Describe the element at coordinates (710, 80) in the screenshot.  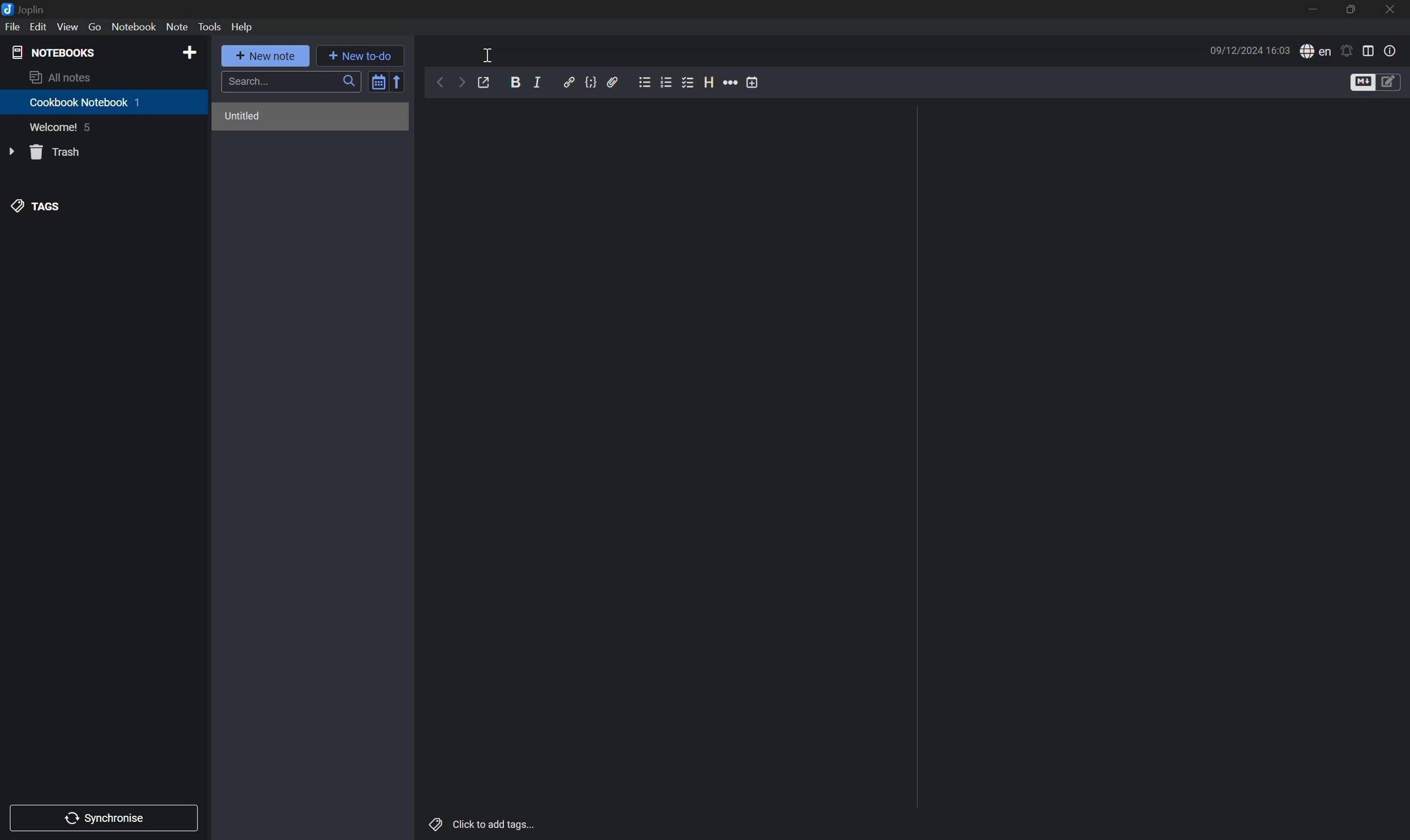
I see `Heading` at that location.